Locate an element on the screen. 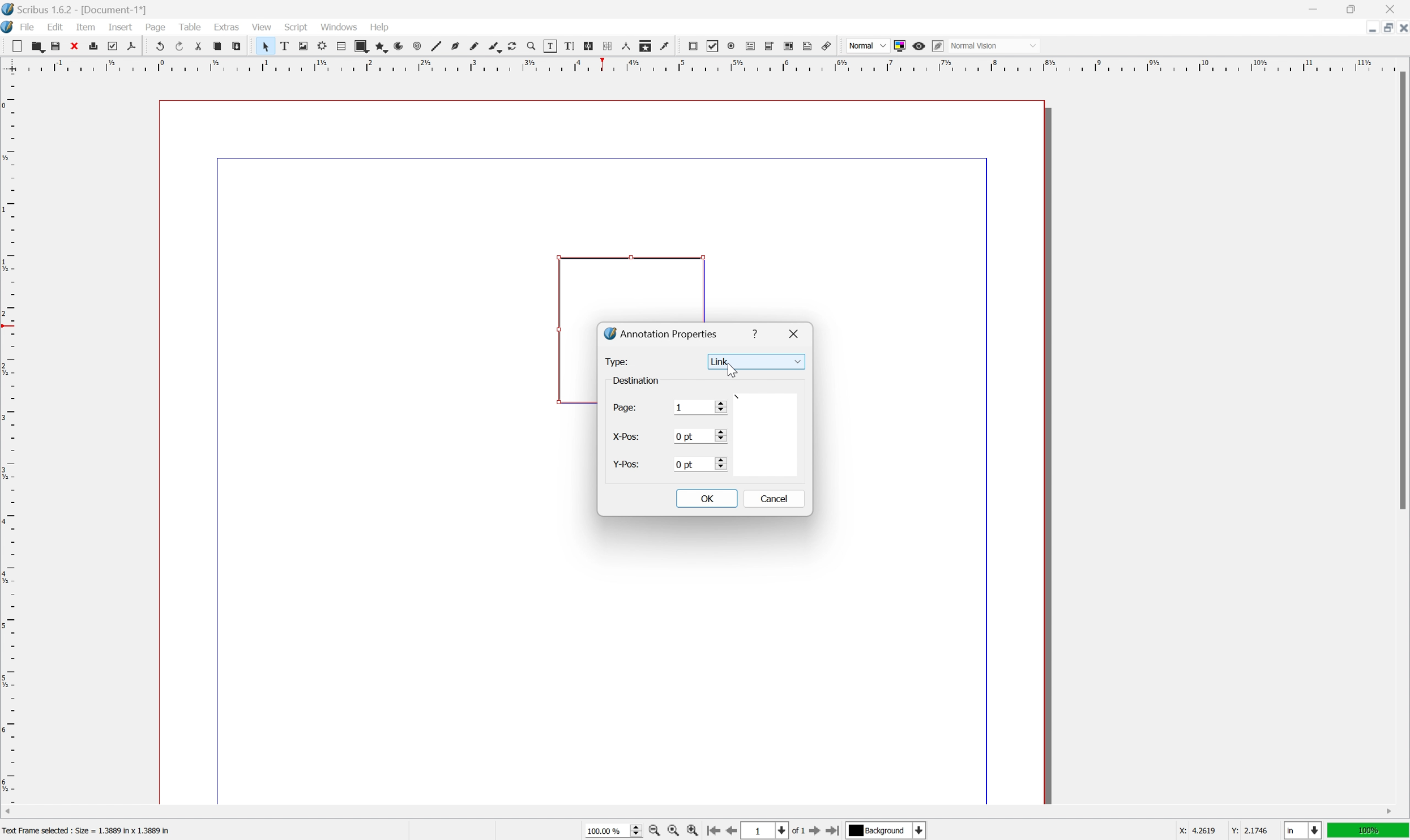 This screenshot has width=1410, height=840. minimize is located at coordinates (1369, 29).